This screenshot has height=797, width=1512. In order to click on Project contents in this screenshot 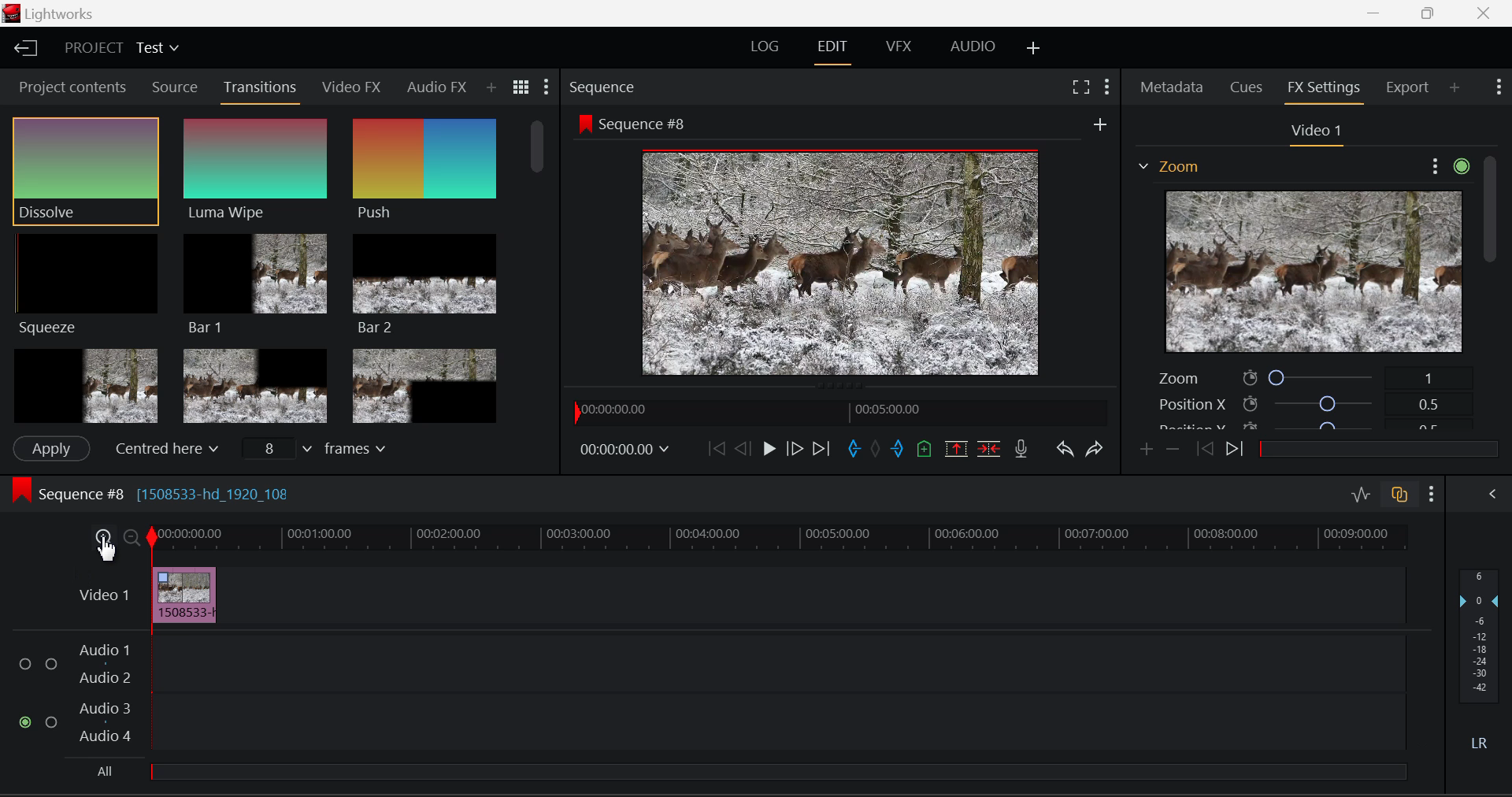, I will do `click(65, 87)`.